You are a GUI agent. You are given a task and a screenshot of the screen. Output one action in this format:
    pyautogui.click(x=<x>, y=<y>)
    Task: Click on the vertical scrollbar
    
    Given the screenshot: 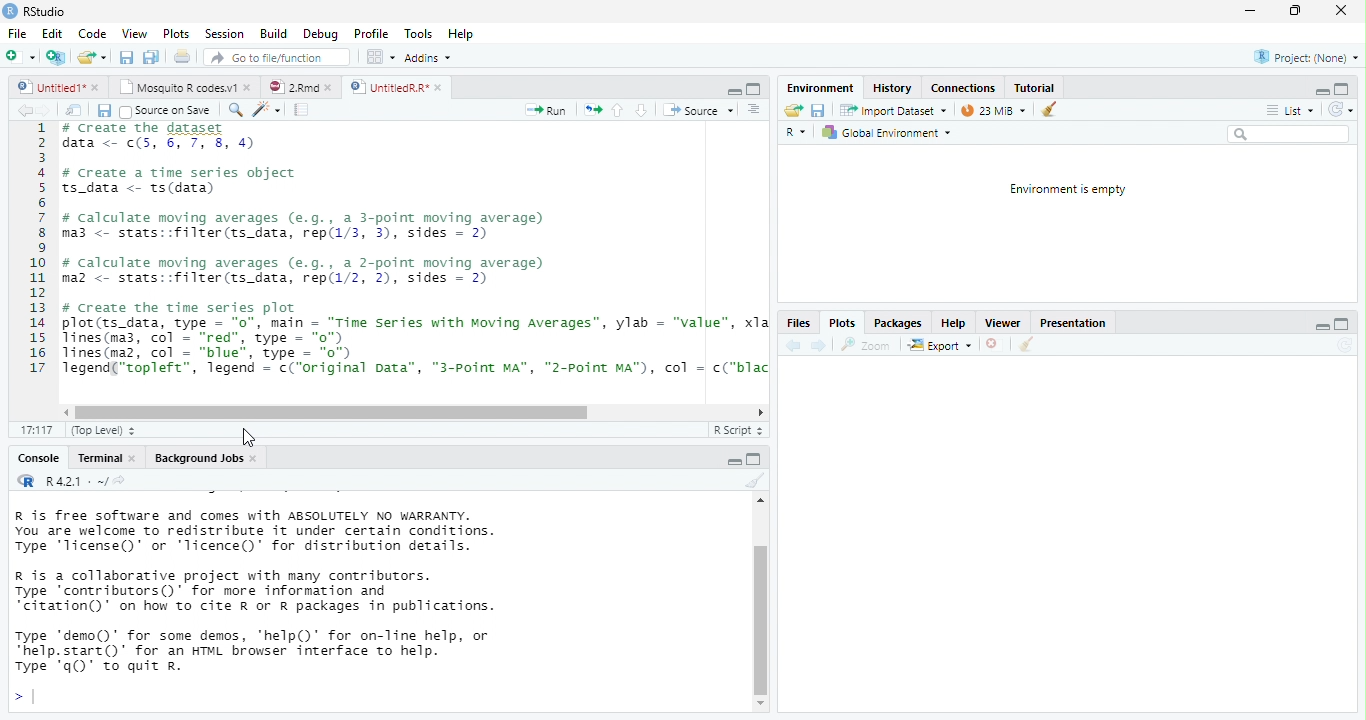 What is the action you would take?
    pyautogui.click(x=761, y=619)
    